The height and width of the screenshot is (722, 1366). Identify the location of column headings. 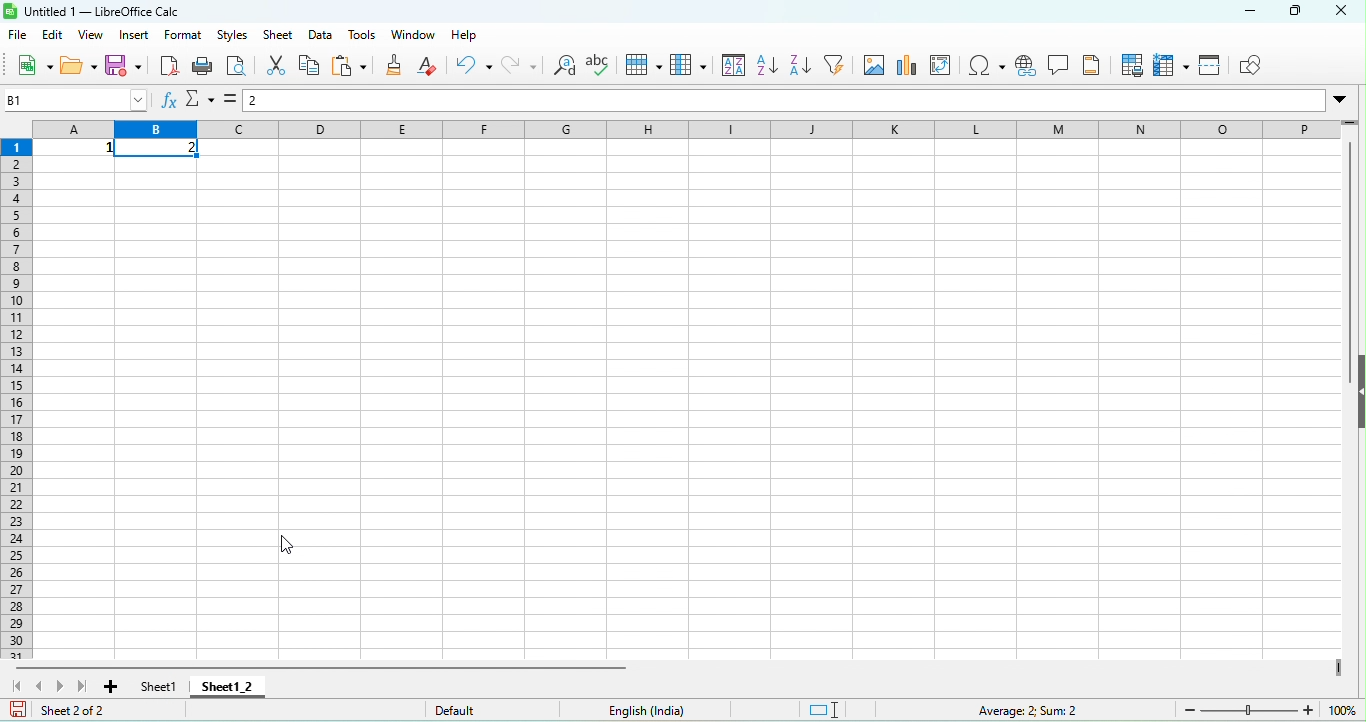
(685, 128).